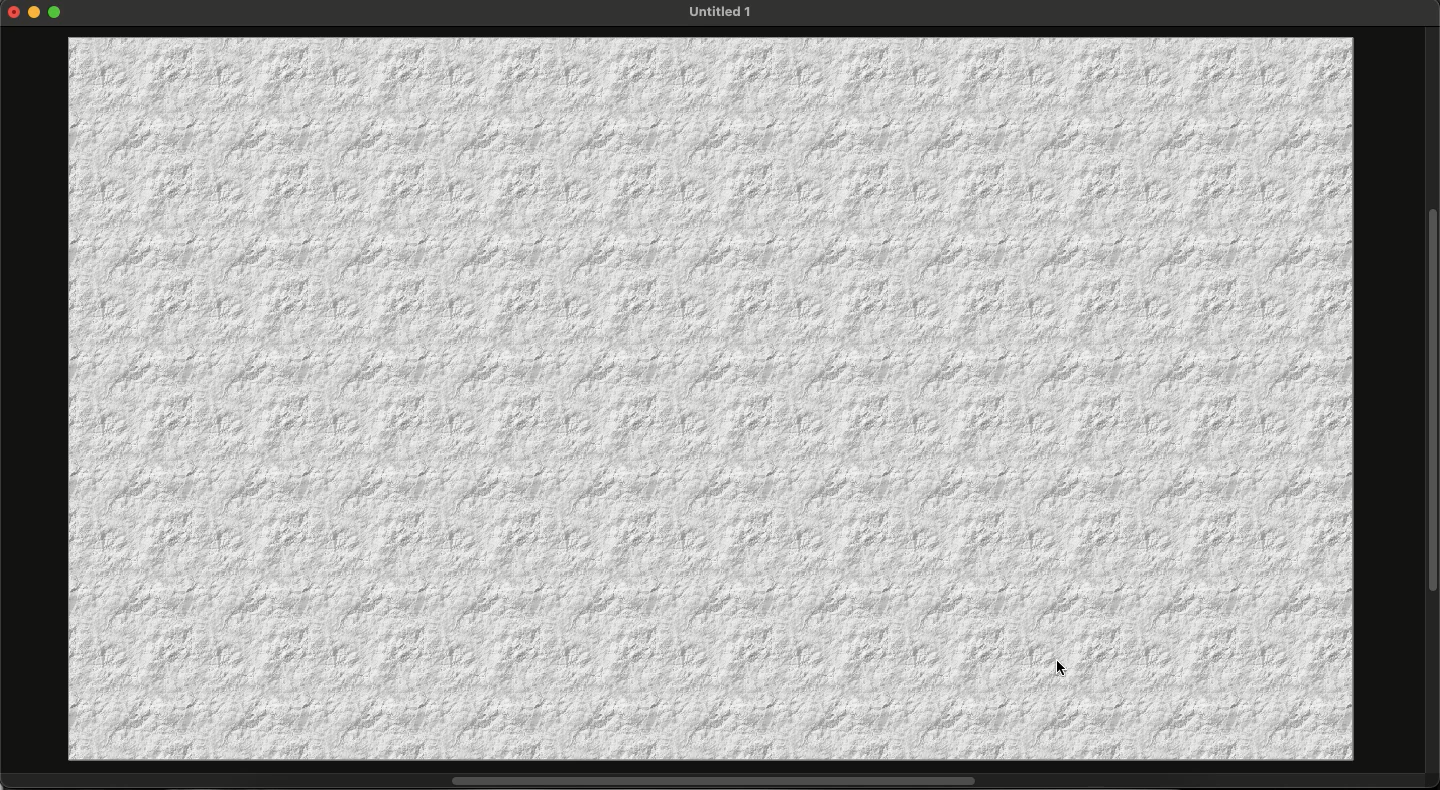 This screenshot has width=1440, height=790. I want to click on Untitled 1, so click(718, 12).